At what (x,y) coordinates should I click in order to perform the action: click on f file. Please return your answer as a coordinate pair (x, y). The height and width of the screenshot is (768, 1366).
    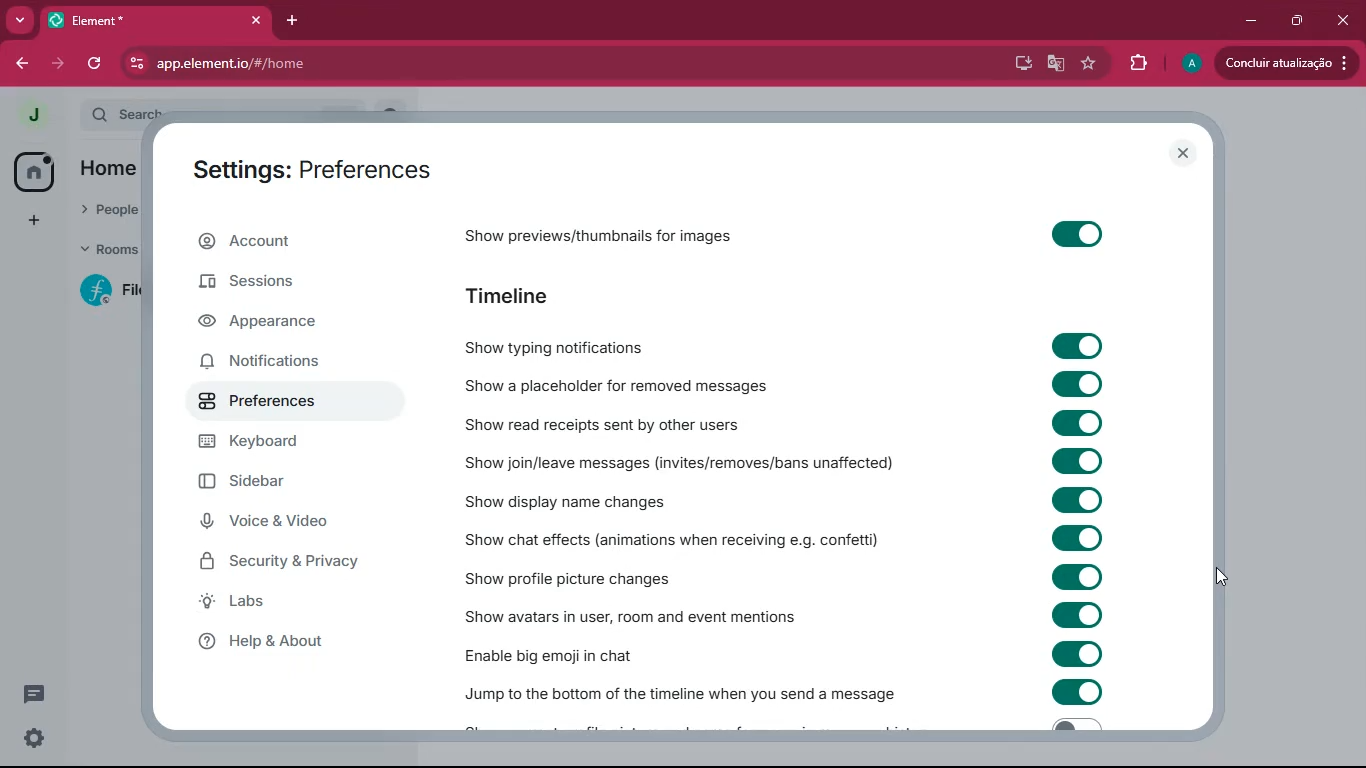
    Looking at the image, I should click on (112, 294).